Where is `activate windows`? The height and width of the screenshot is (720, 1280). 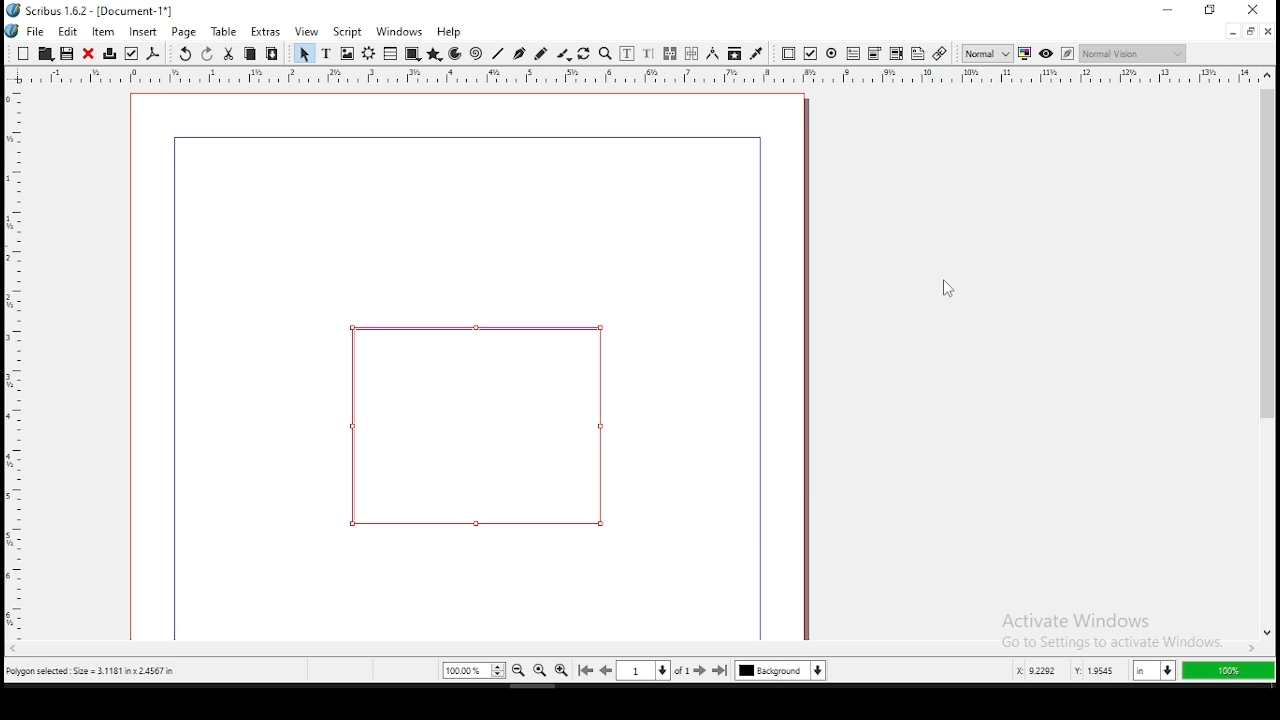
activate windows is located at coordinates (1106, 625).